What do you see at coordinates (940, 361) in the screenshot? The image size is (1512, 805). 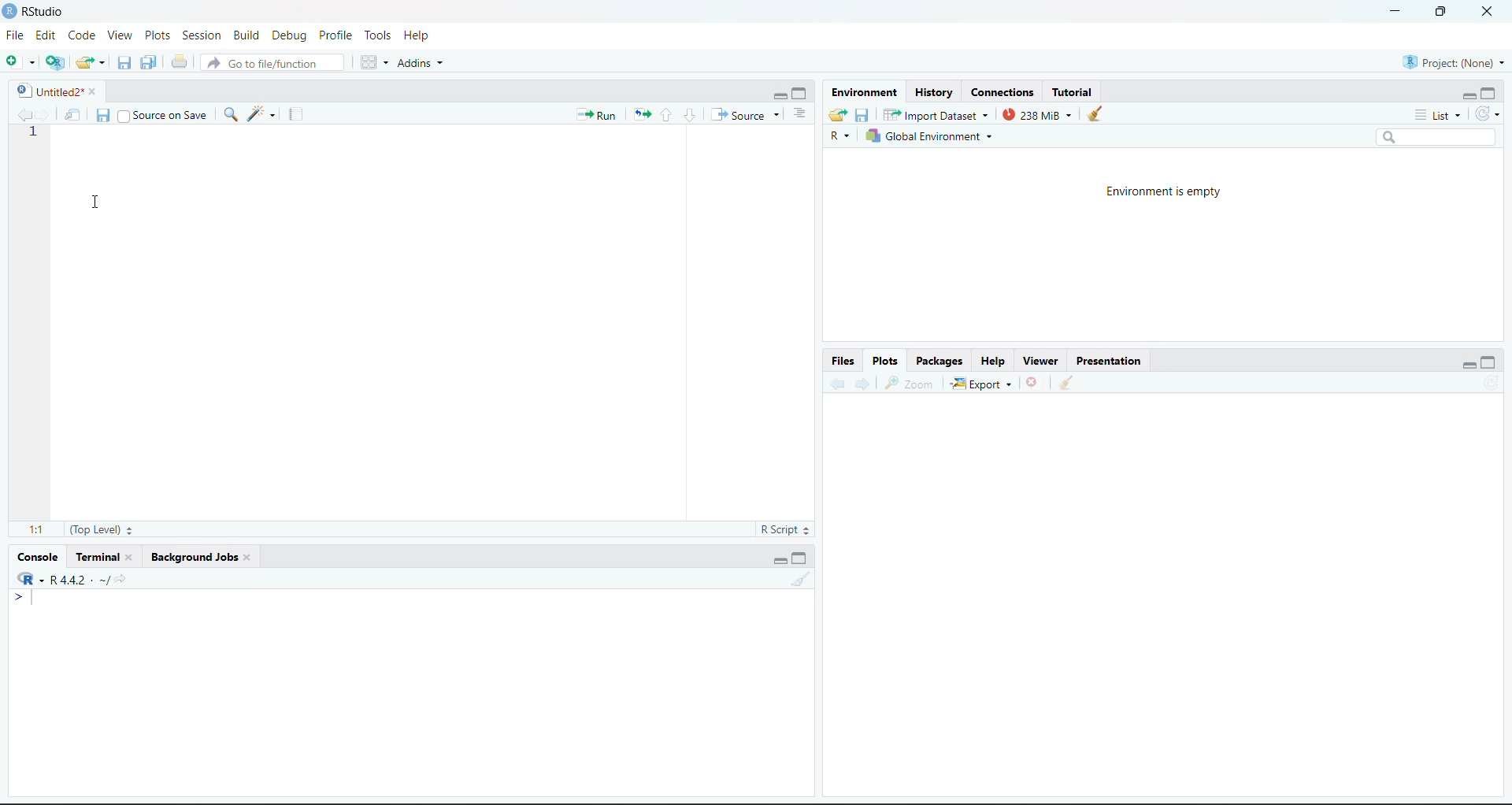 I see `Packages` at bounding box center [940, 361].